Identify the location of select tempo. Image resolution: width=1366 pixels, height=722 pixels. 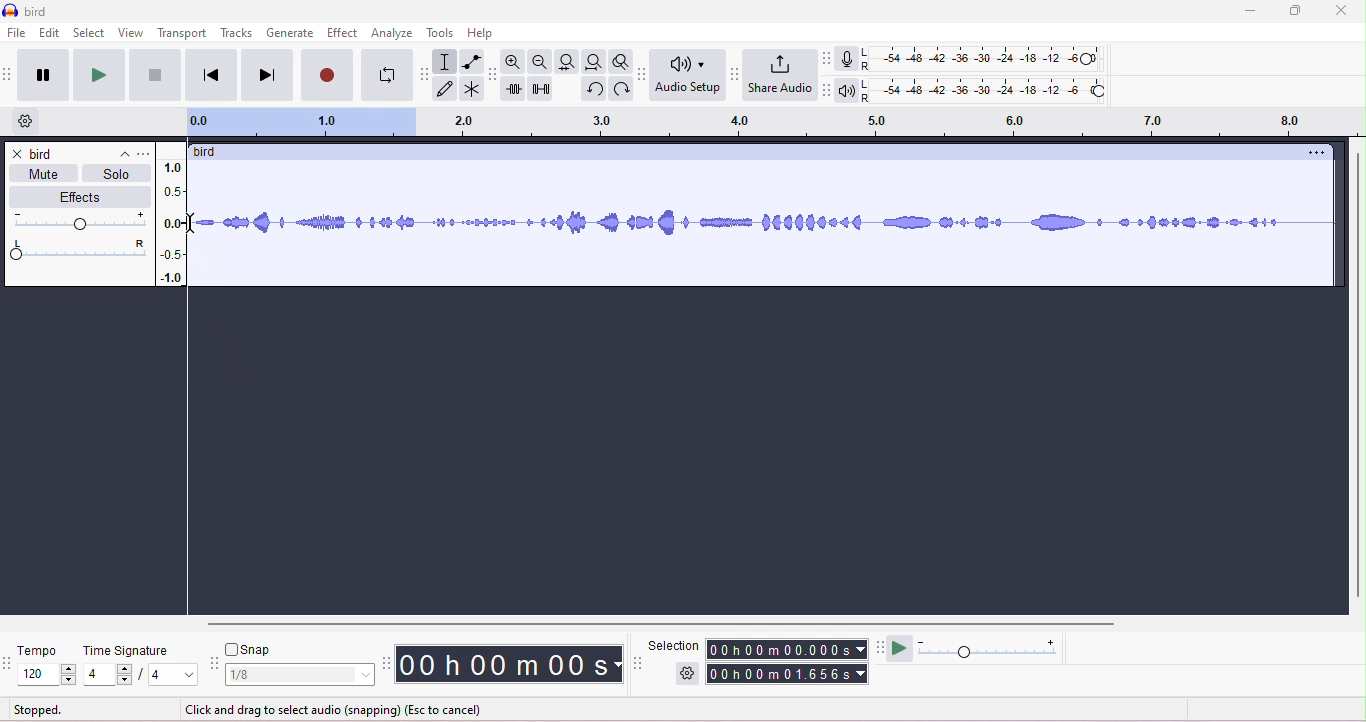
(48, 676).